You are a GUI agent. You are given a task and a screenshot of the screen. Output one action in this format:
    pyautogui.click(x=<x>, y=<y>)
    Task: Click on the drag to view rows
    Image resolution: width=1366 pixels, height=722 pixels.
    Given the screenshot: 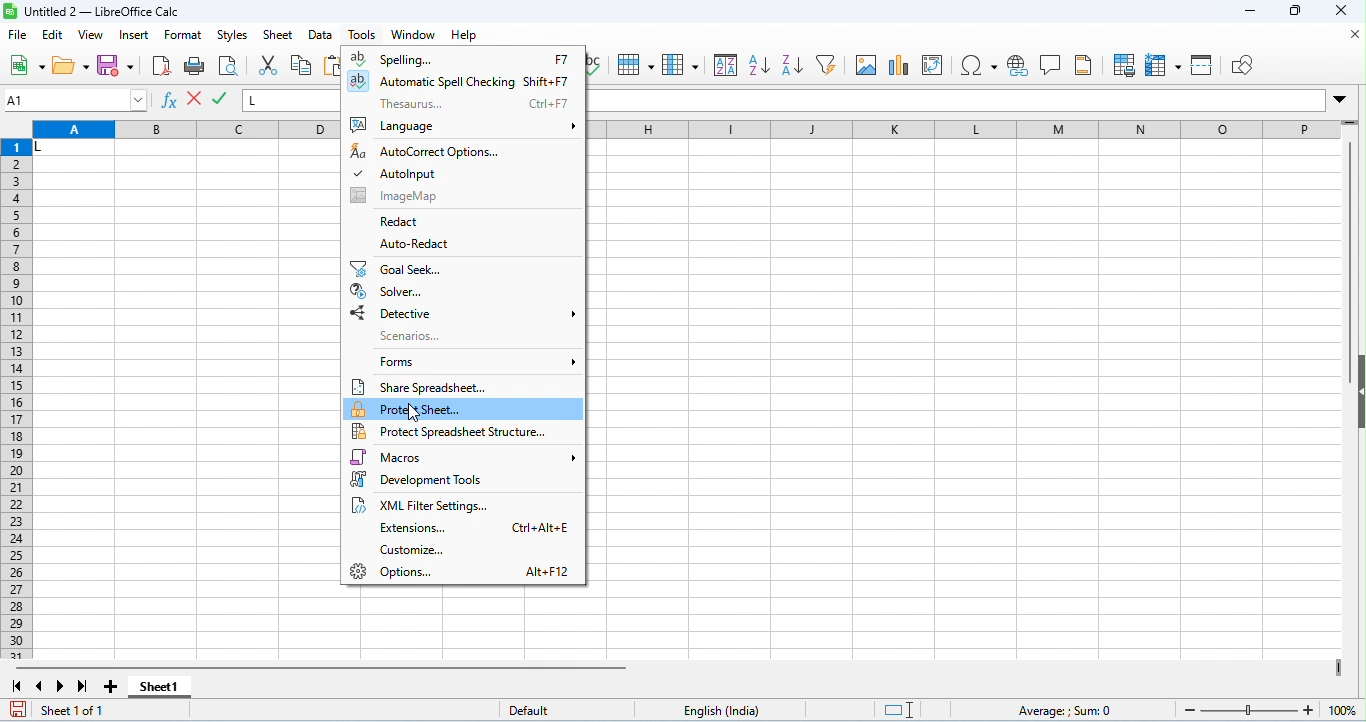 What is the action you would take?
    pyautogui.click(x=1350, y=122)
    